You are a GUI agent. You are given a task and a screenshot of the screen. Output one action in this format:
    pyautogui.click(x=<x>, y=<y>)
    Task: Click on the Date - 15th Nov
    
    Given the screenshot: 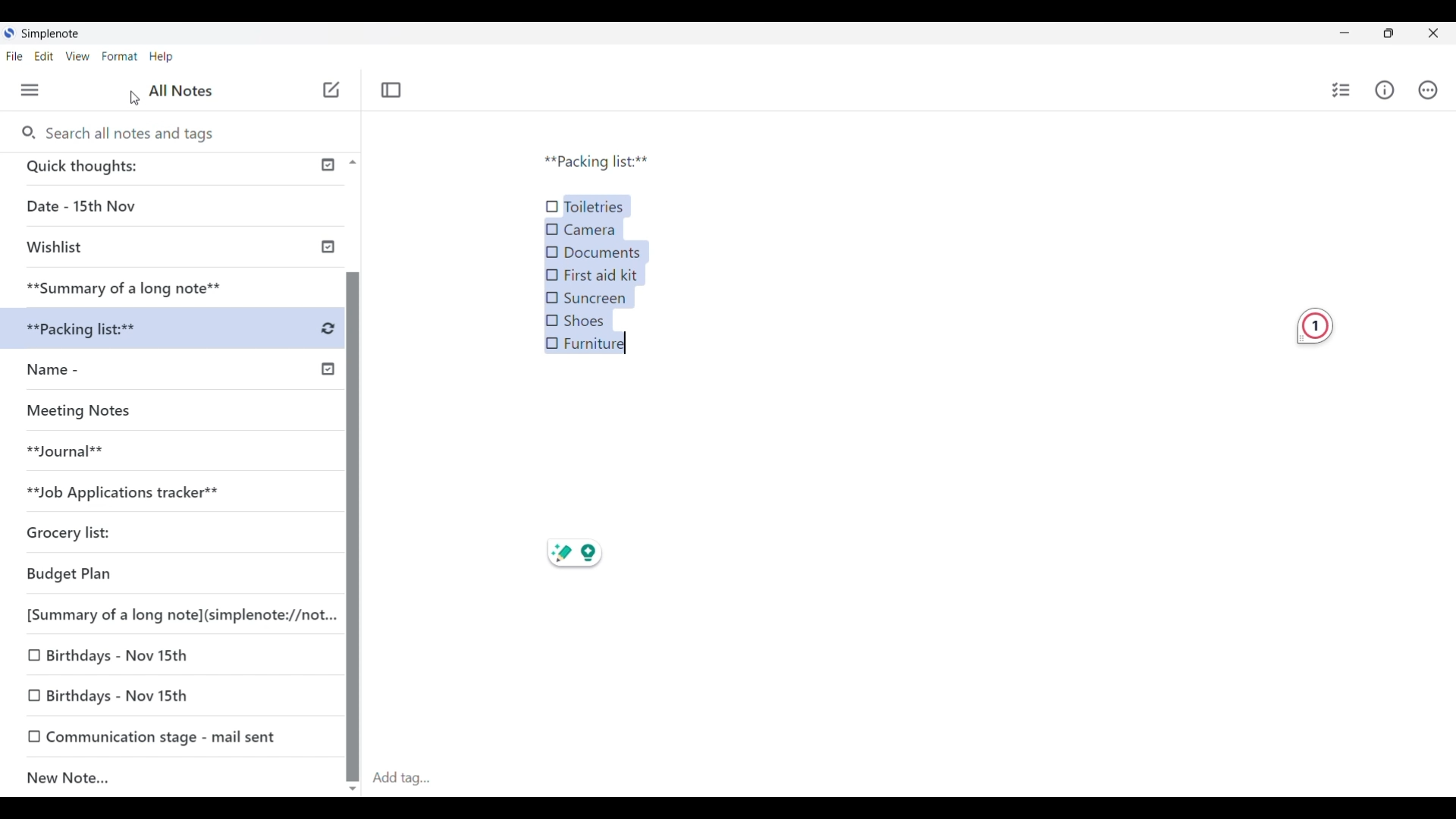 What is the action you would take?
    pyautogui.click(x=131, y=206)
    